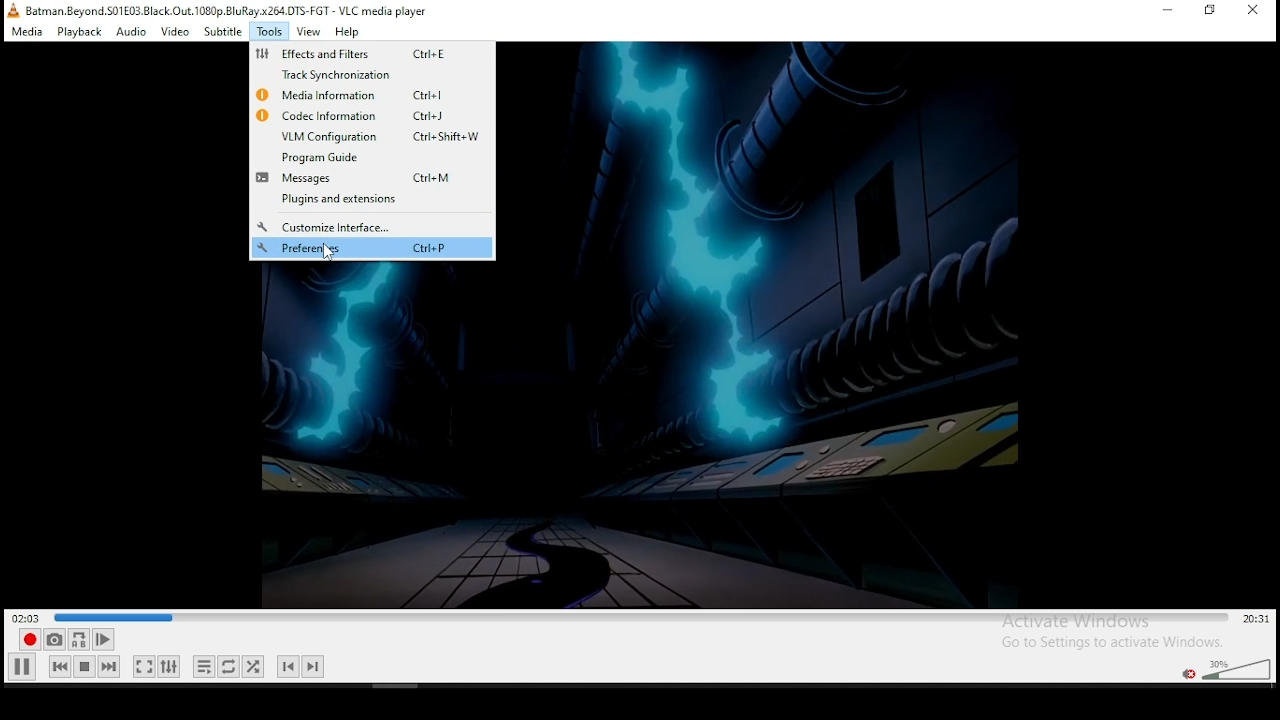 This screenshot has height=720, width=1280. Describe the element at coordinates (84, 666) in the screenshot. I see `stop` at that location.